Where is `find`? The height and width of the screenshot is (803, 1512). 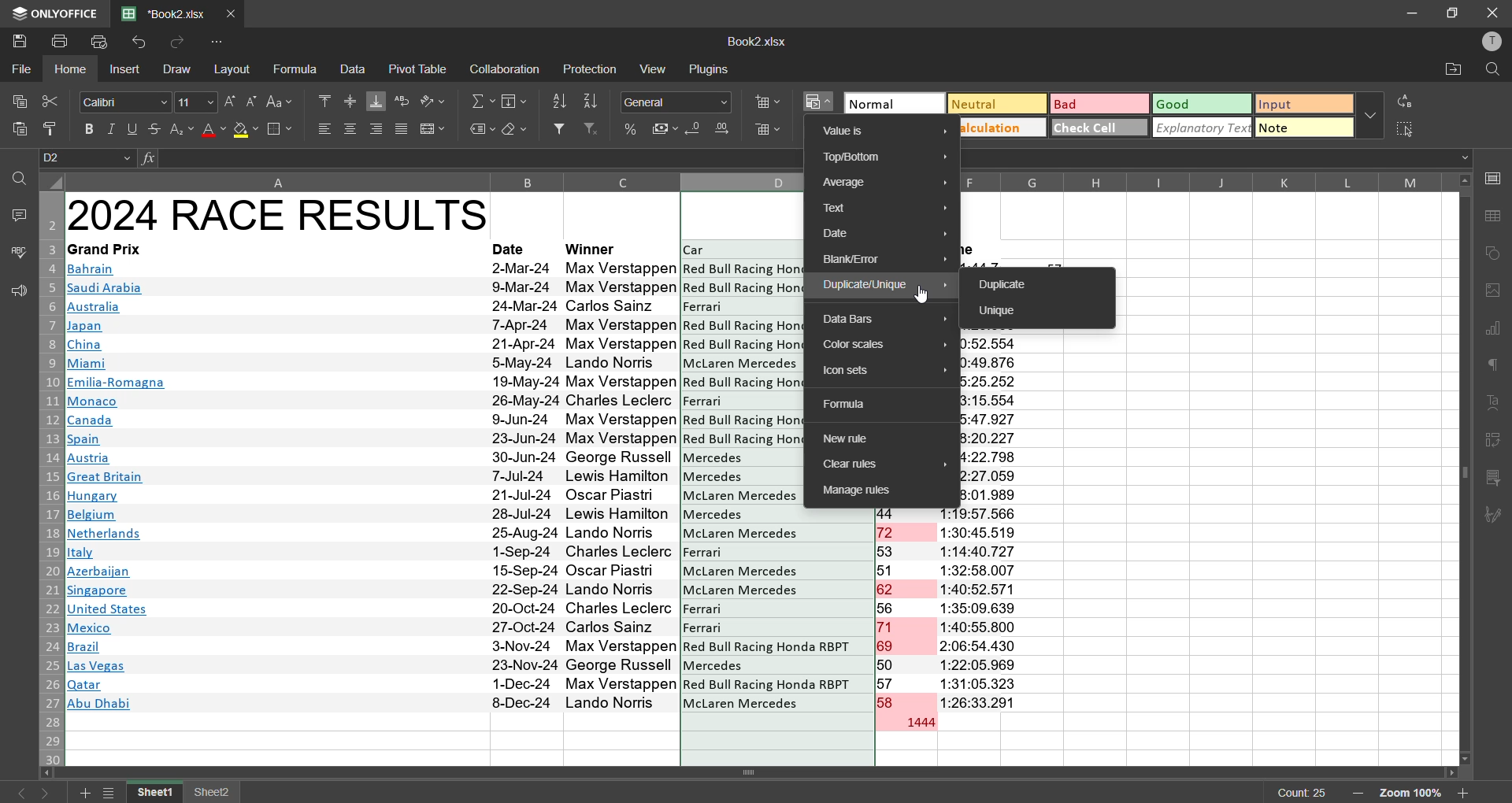 find is located at coordinates (19, 178).